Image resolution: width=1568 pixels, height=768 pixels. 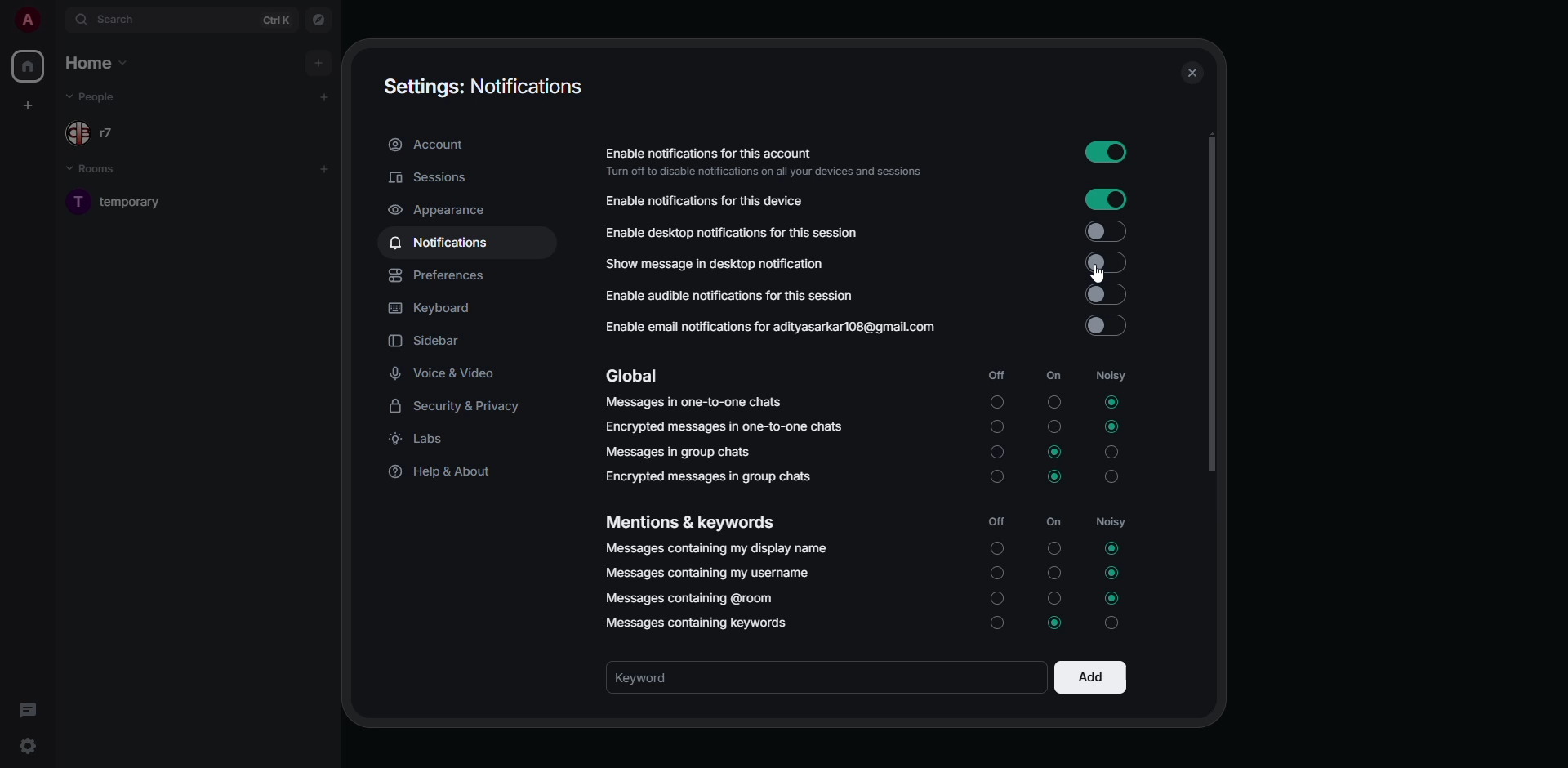 What do you see at coordinates (697, 405) in the screenshot?
I see `messages in one to one chats` at bounding box center [697, 405].